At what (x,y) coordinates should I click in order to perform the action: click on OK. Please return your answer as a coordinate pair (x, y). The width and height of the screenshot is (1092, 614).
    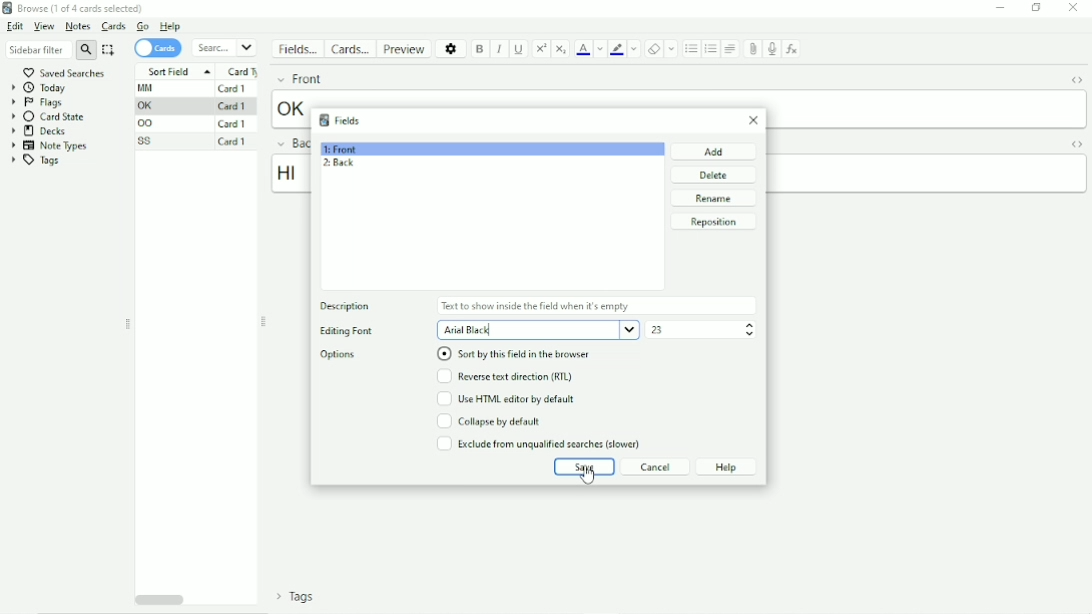
    Looking at the image, I should click on (148, 106).